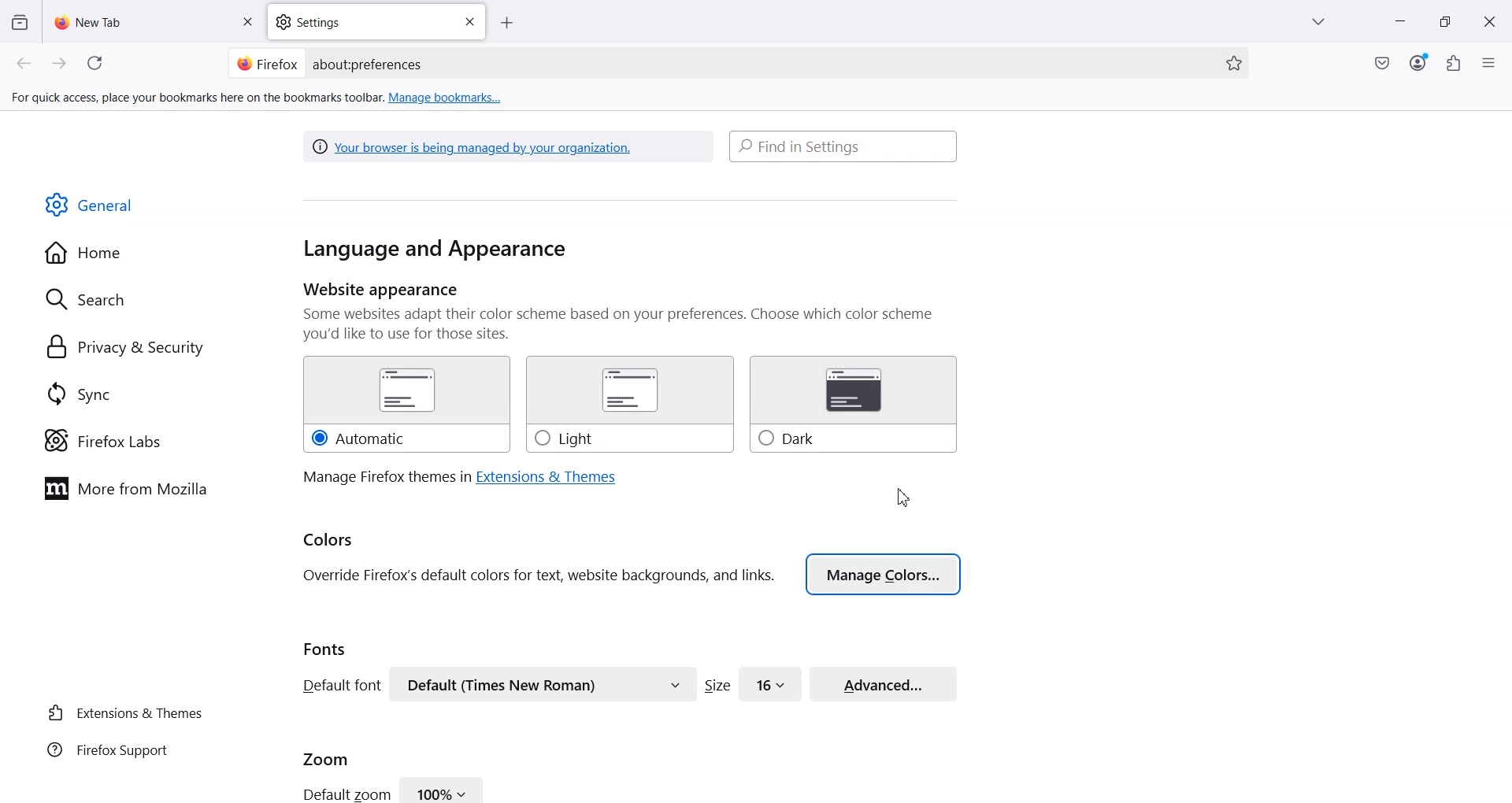 Image resolution: width=1512 pixels, height=803 pixels. Describe the element at coordinates (543, 684) in the screenshot. I see `Default (Times New Roman)` at that location.